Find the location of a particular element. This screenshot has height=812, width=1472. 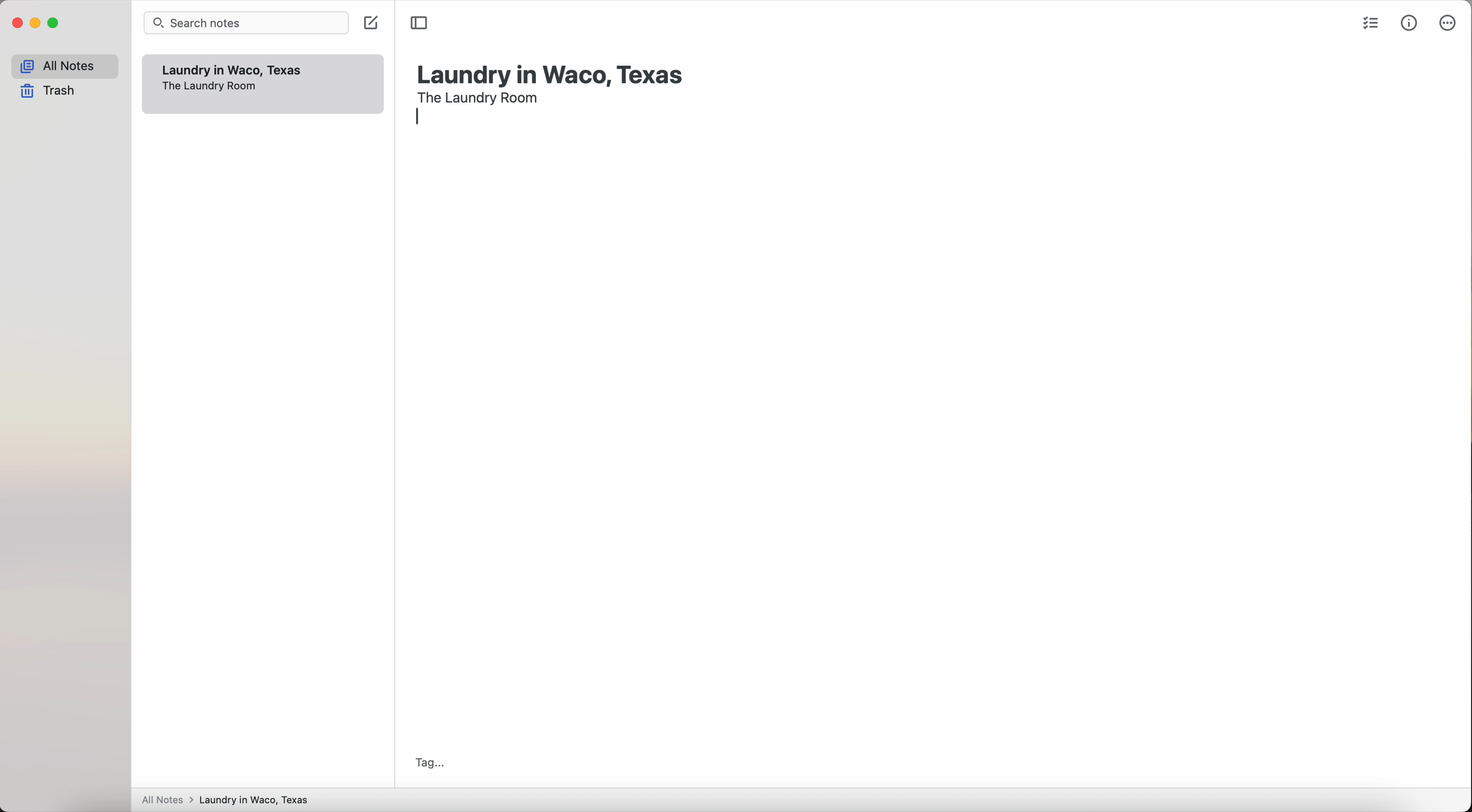

metrics is located at coordinates (1410, 22).